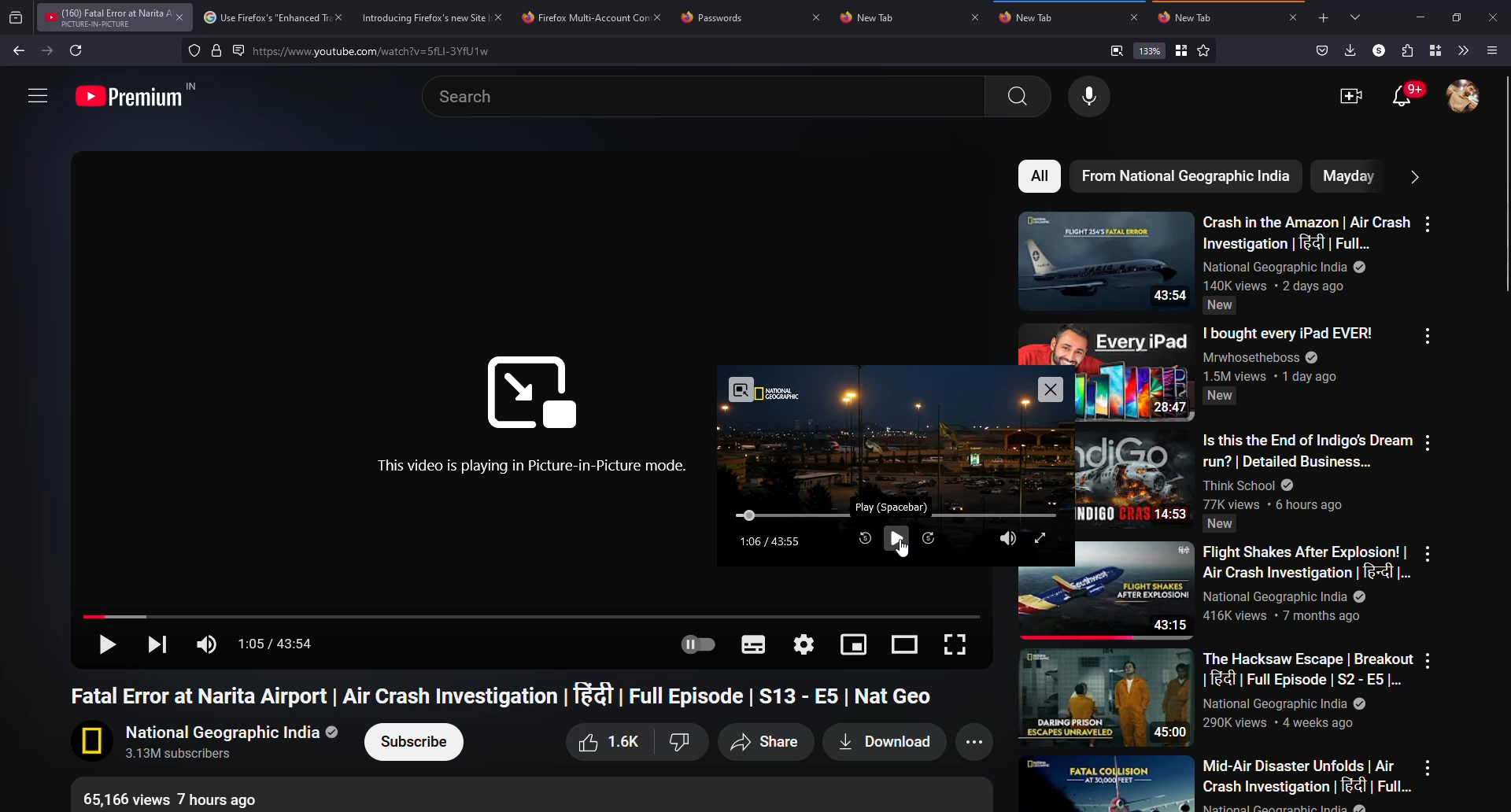 The height and width of the screenshot is (812, 1511). What do you see at coordinates (499, 17) in the screenshot?
I see `close` at bounding box center [499, 17].